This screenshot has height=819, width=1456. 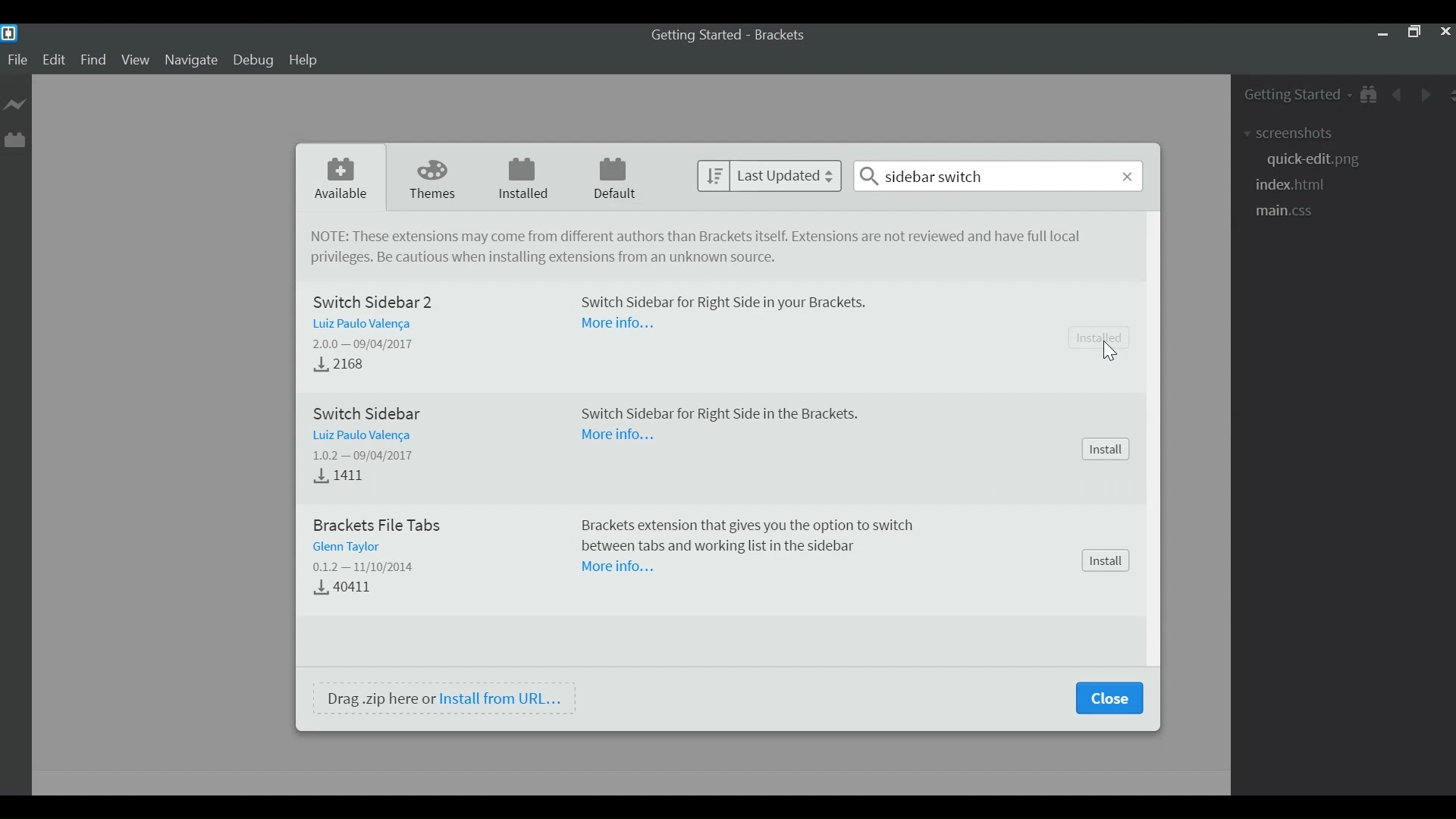 I want to click on File, so click(x=17, y=60).